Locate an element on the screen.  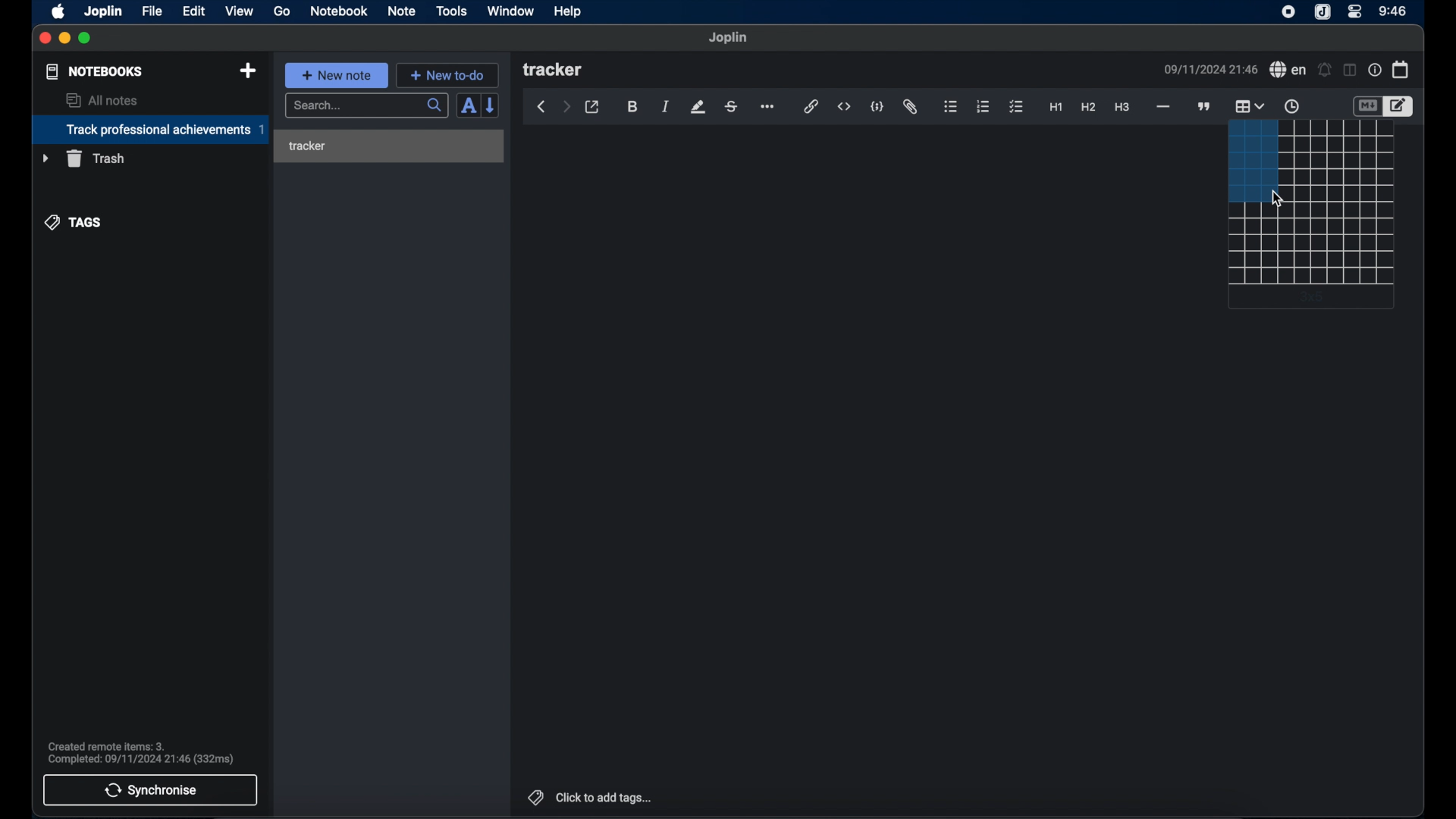
bold is located at coordinates (632, 107).